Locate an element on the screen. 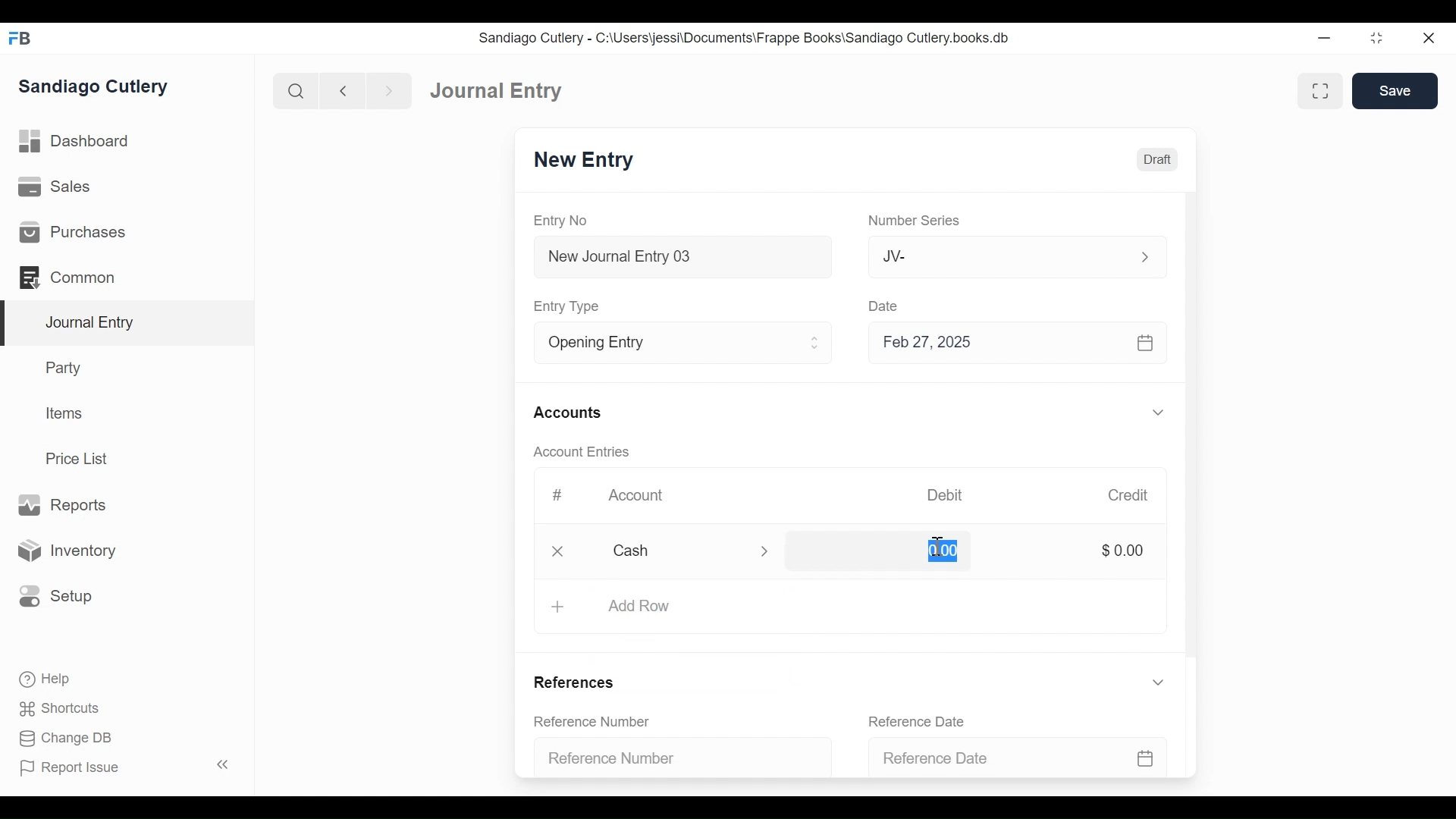 The width and height of the screenshot is (1456, 819). $0.00 is located at coordinates (1122, 550).